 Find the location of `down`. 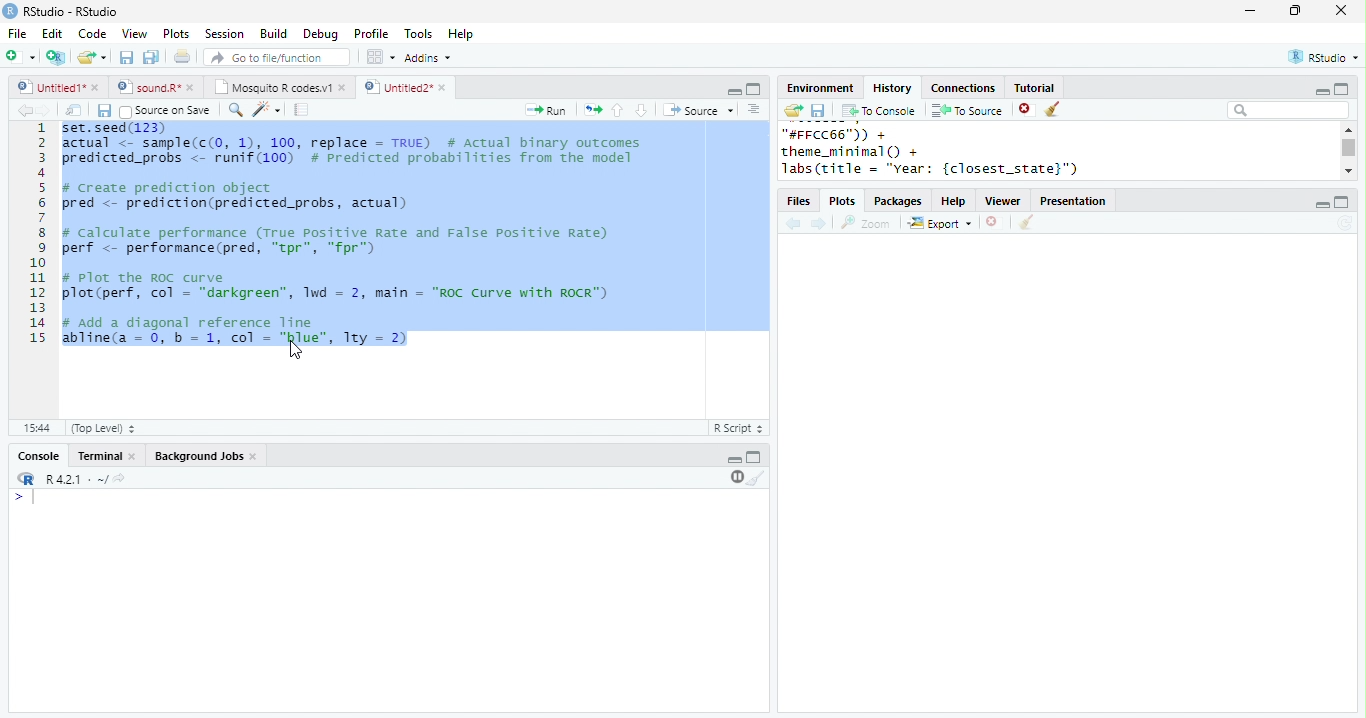

down is located at coordinates (640, 110).